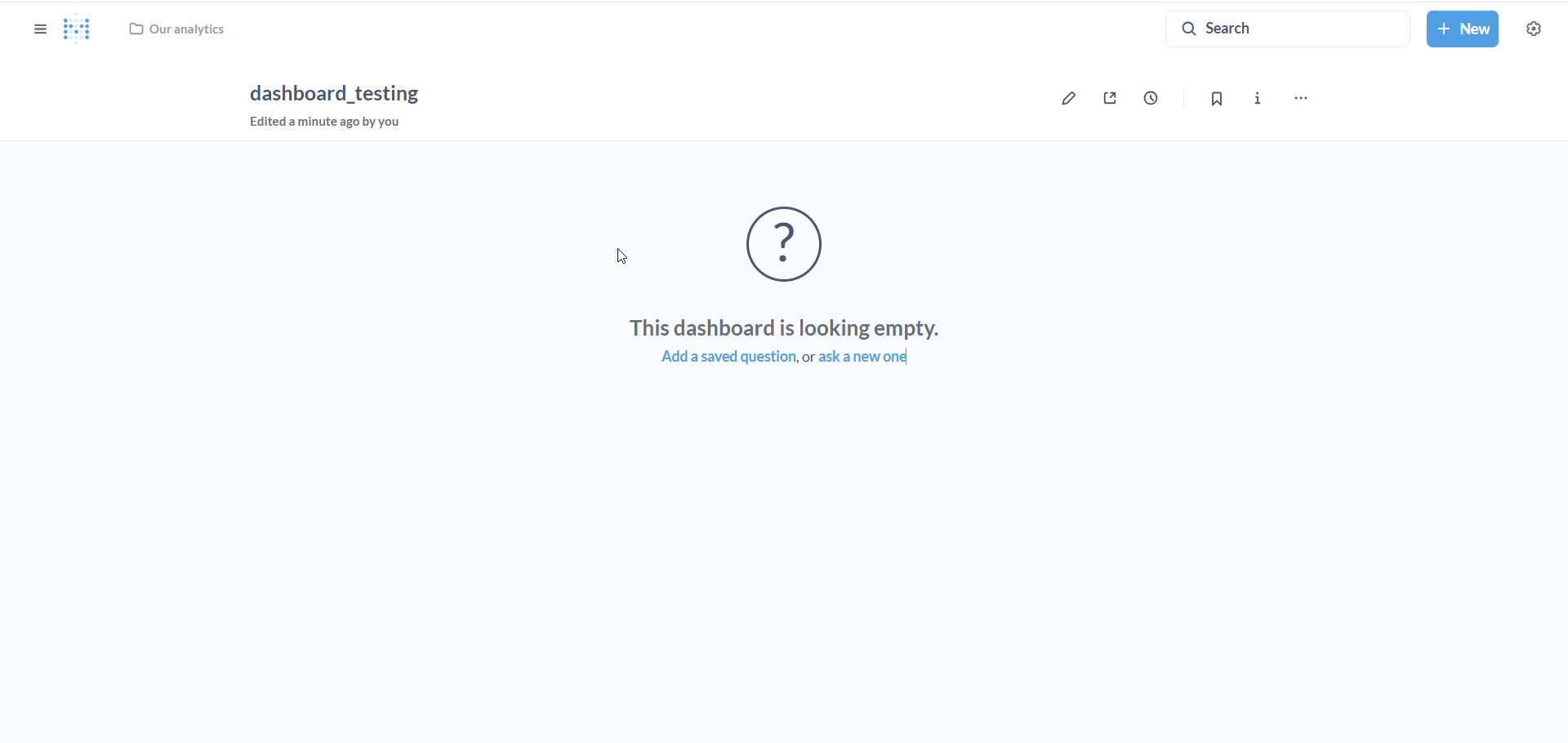  What do you see at coordinates (1072, 100) in the screenshot?
I see `edit` at bounding box center [1072, 100].